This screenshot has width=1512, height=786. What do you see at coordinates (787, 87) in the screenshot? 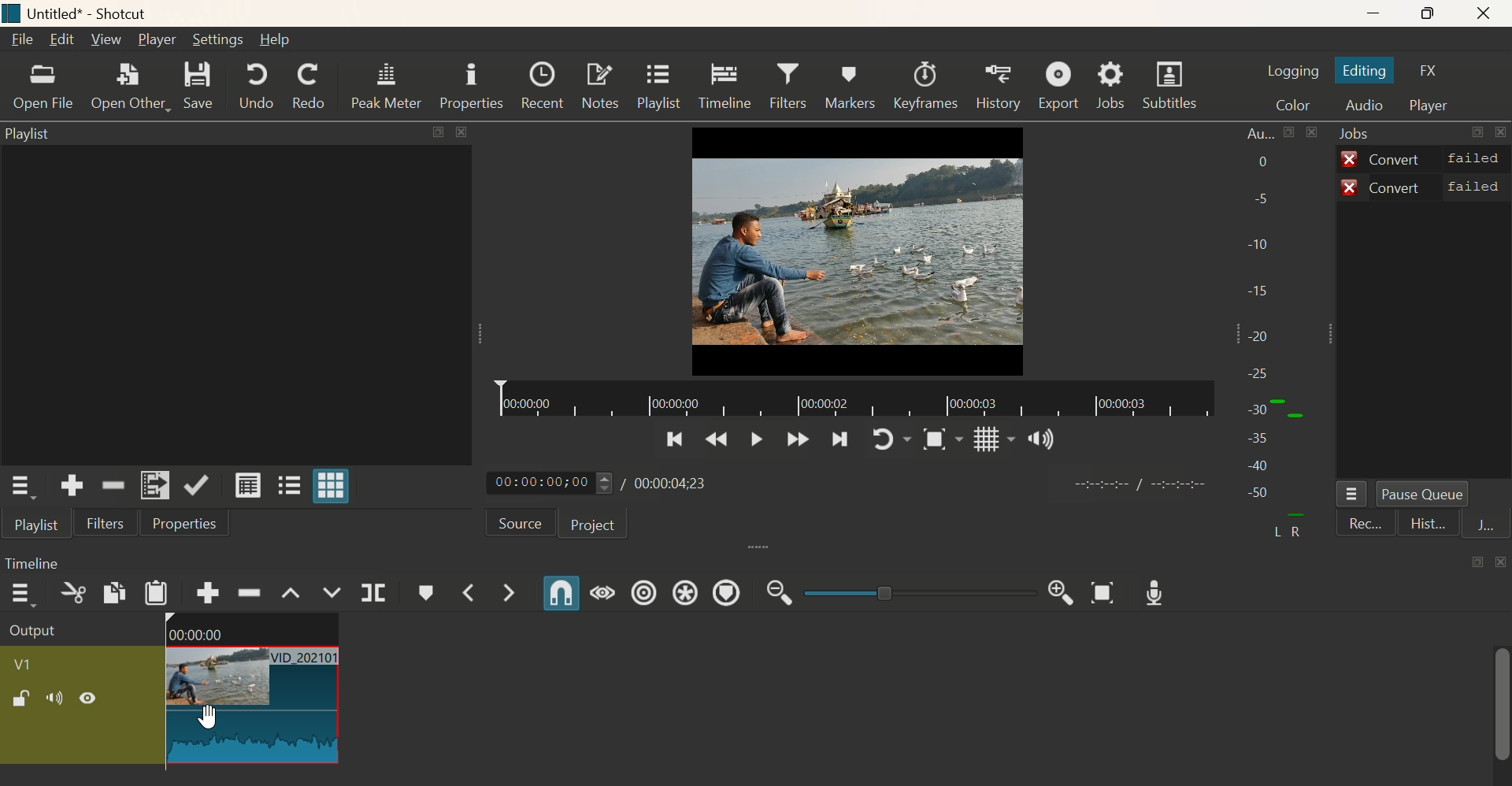
I see `Filters` at bounding box center [787, 87].